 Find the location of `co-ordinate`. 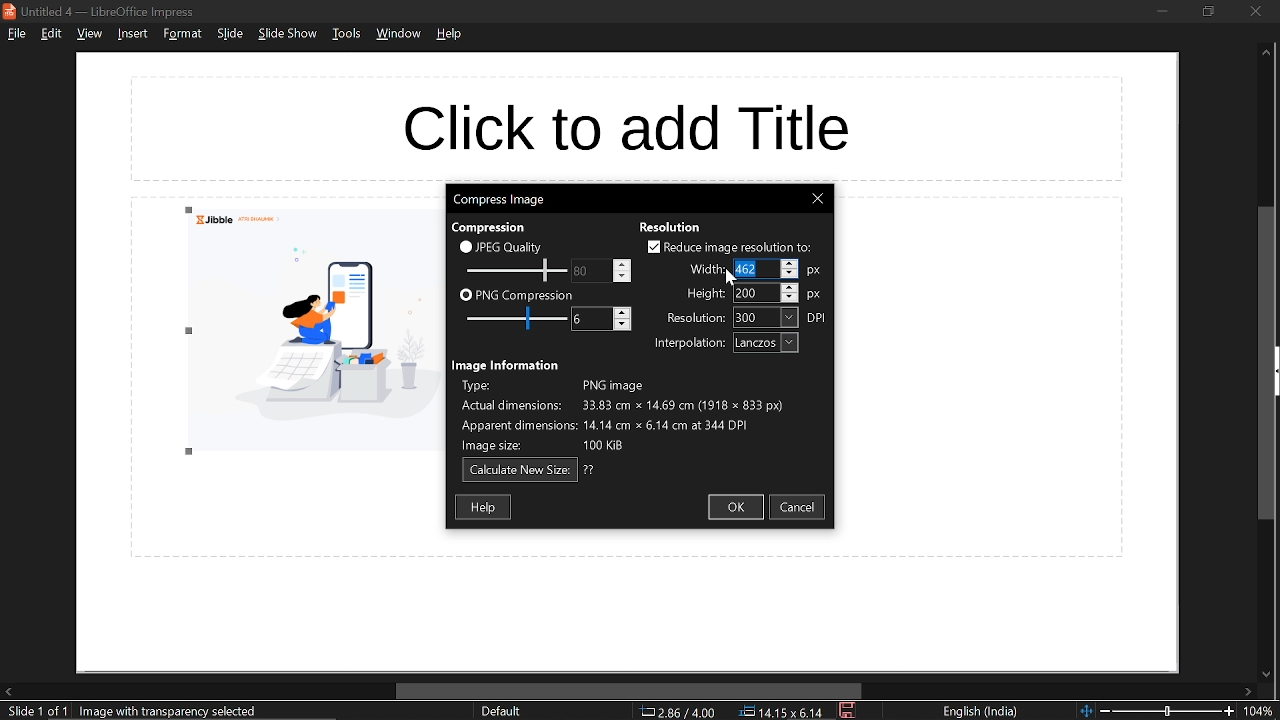

co-ordinate is located at coordinates (678, 711).